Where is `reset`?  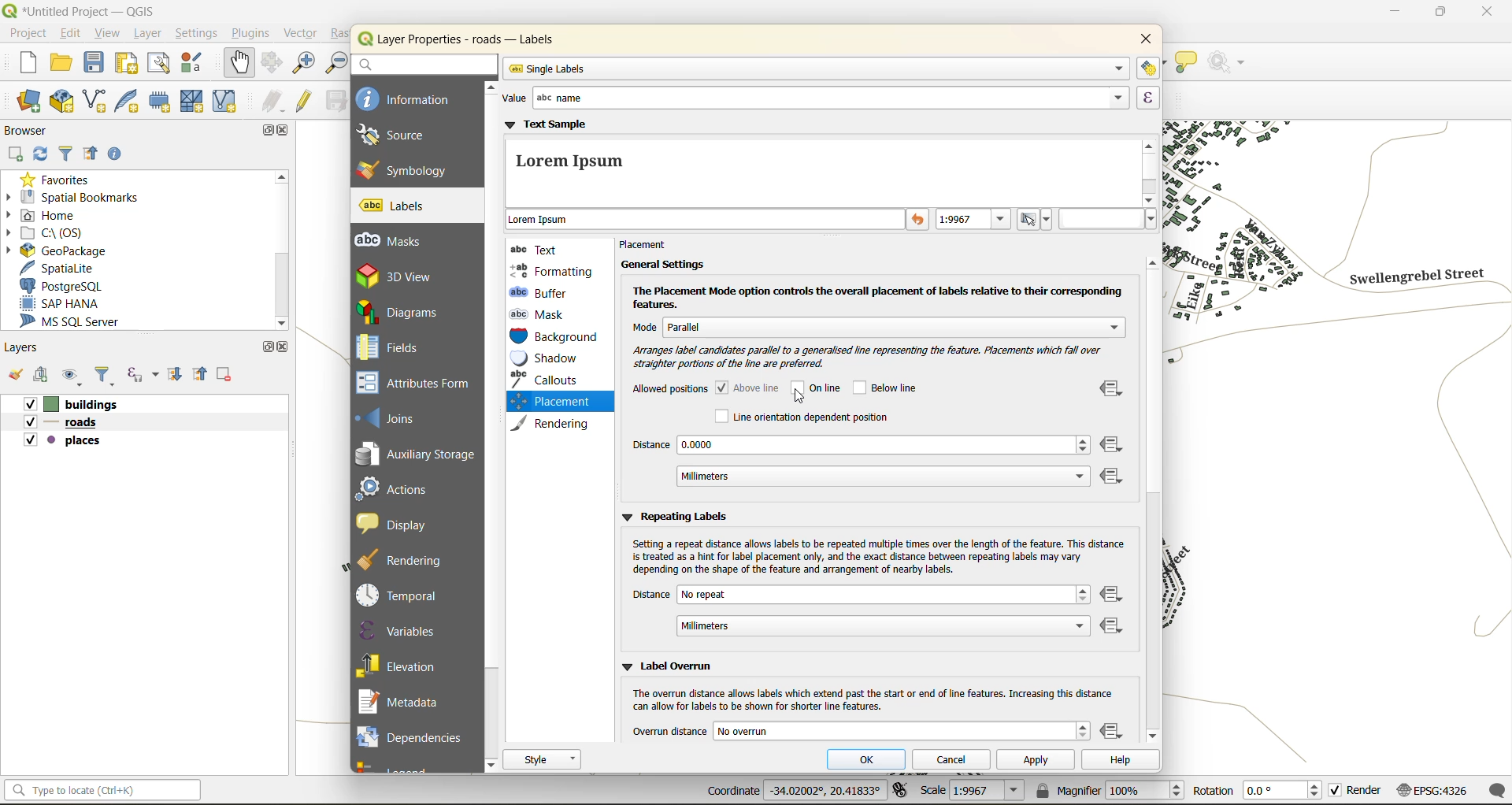 reset is located at coordinates (919, 221).